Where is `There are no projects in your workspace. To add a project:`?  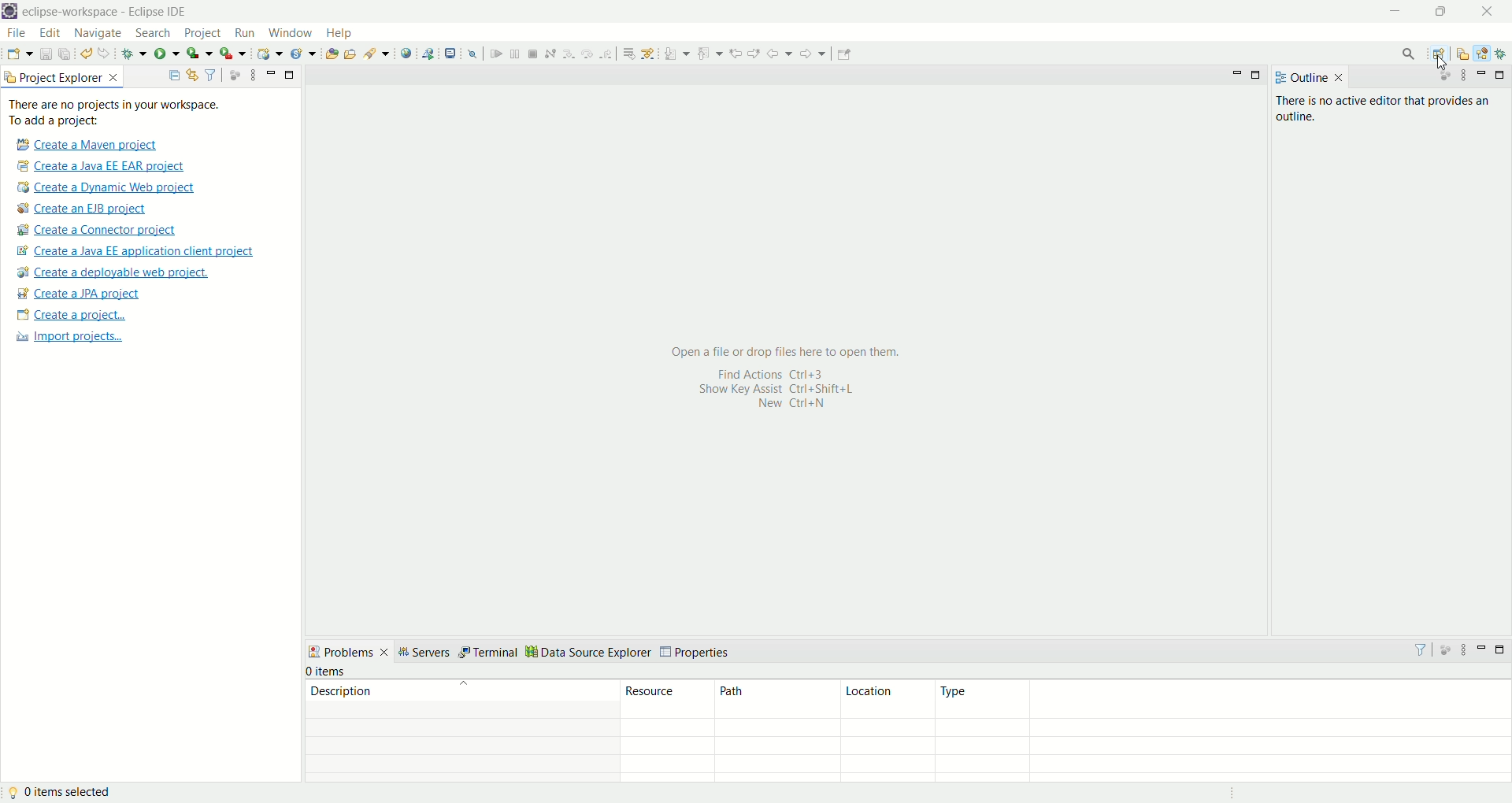 There are no projects in your workspace. To add a project: is located at coordinates (117, 113).